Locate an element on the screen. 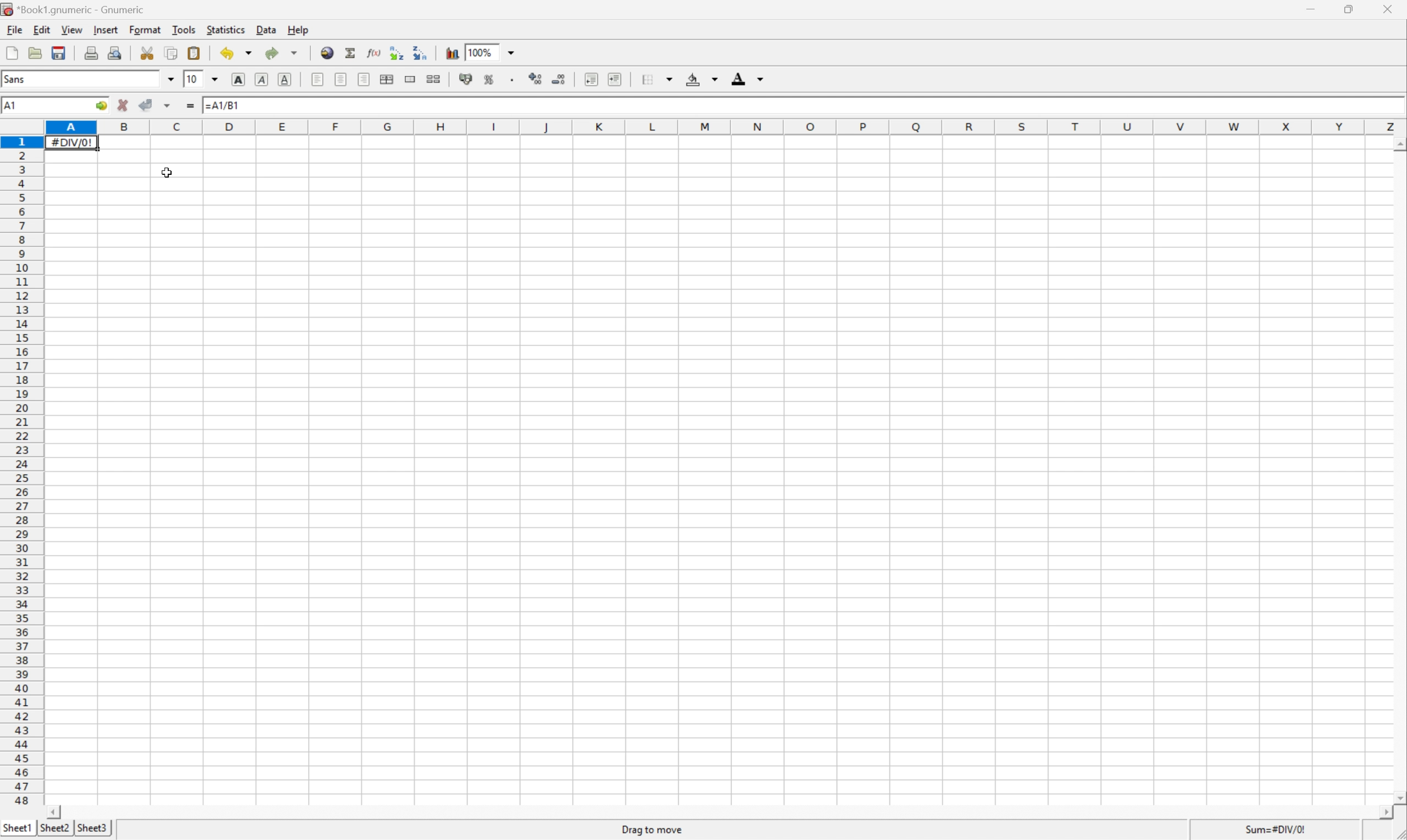  Drop down is located at coordinates (669, 79).